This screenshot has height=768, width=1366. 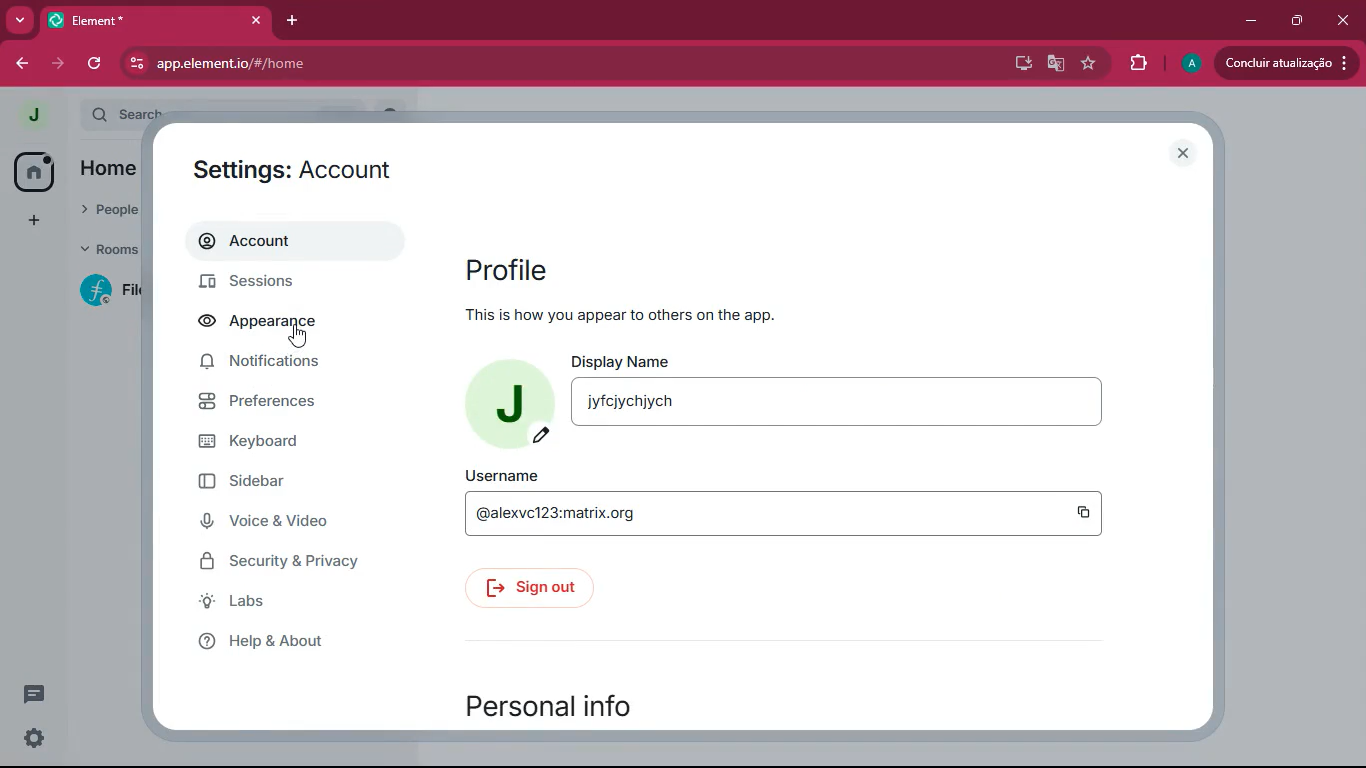 What do you see at coordinates (240, 600) in the screenshot?
I see `Labs` at bounding box center [240, 600].